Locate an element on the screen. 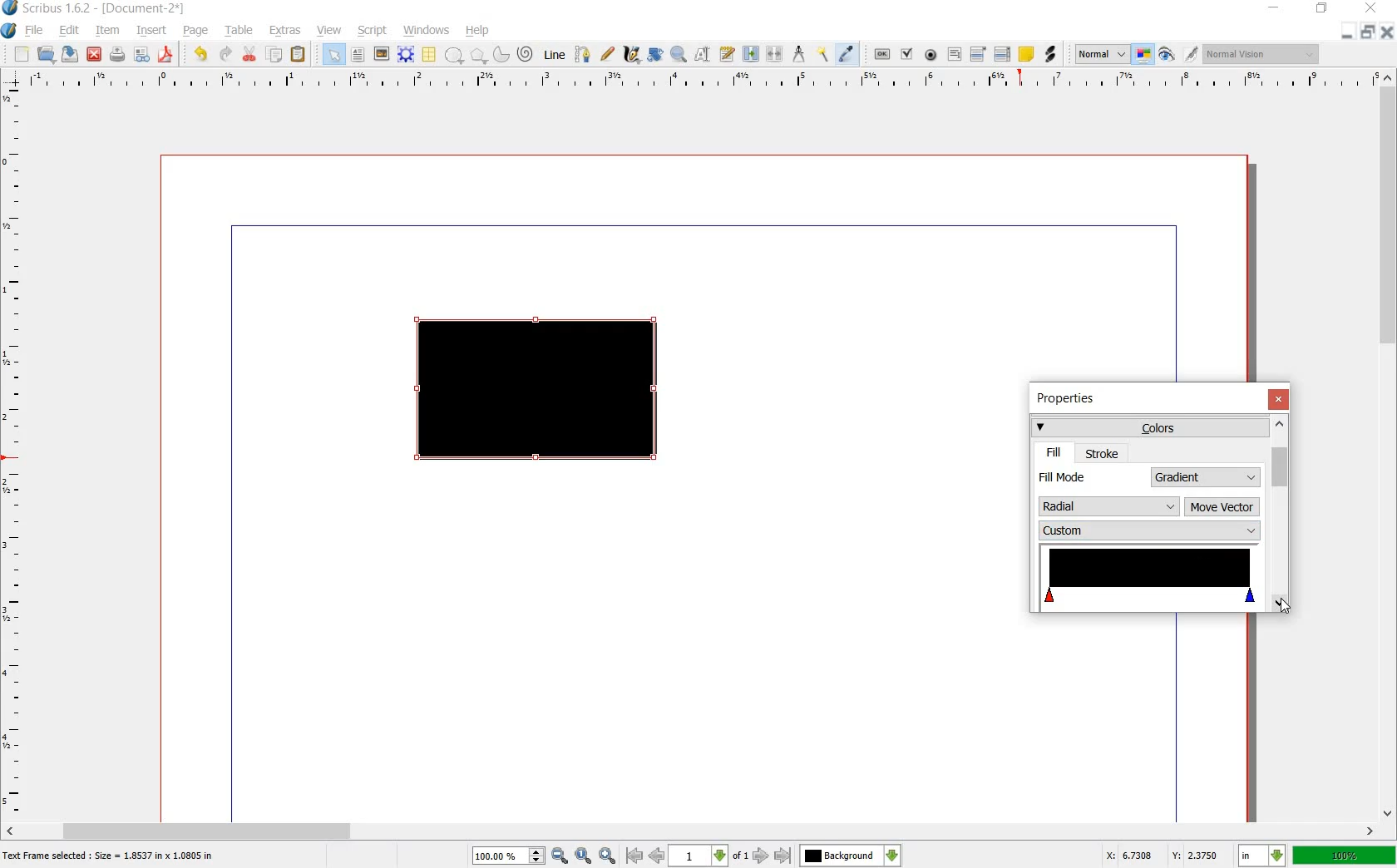 The width and height of the screenshot is (1397, 868). measurement is located at coordinates (800, 53).